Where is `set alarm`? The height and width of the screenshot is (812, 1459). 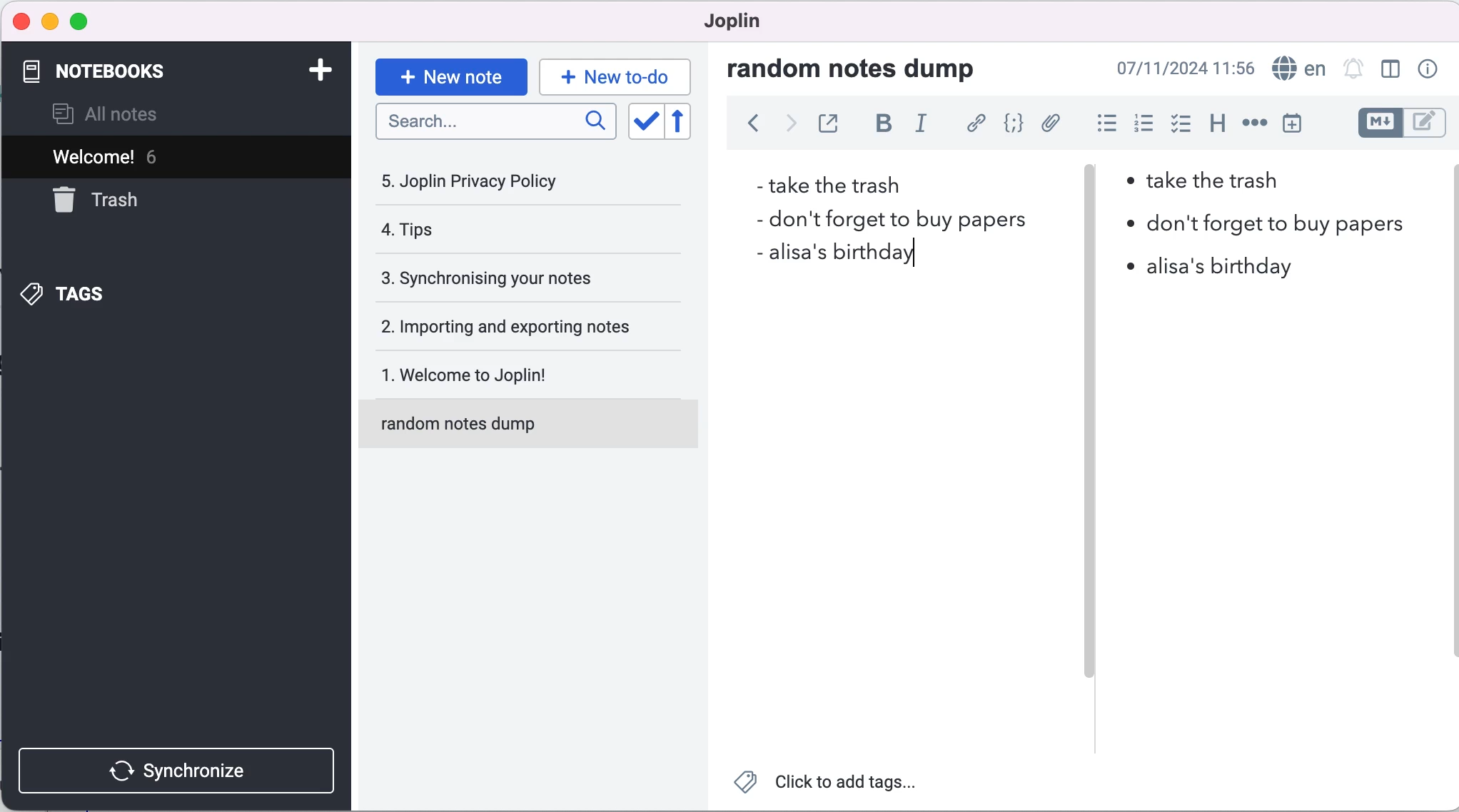
set alarm is located at coordinates (1353, 70).